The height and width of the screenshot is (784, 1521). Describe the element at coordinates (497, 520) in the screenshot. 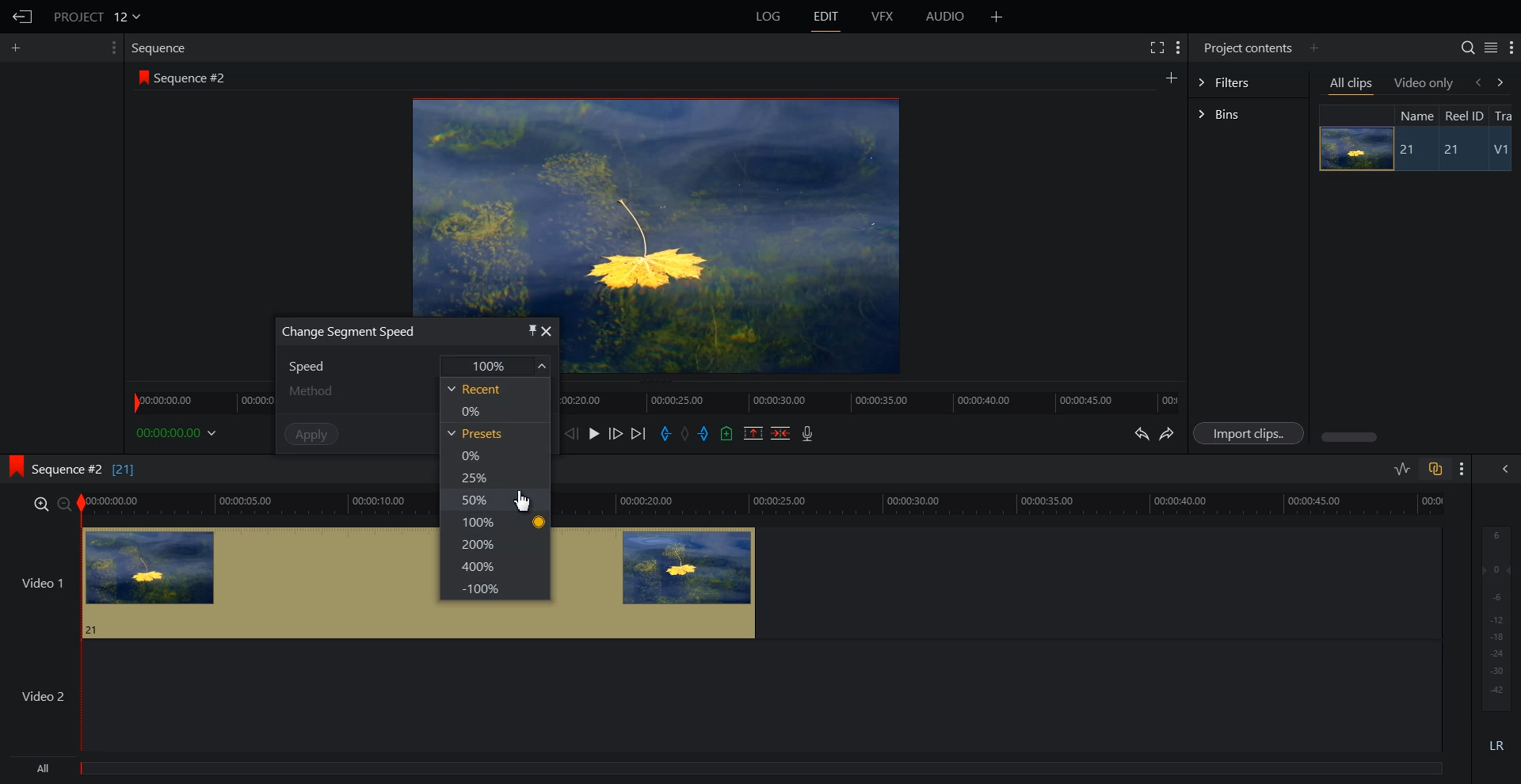

I see `100%` at that location.